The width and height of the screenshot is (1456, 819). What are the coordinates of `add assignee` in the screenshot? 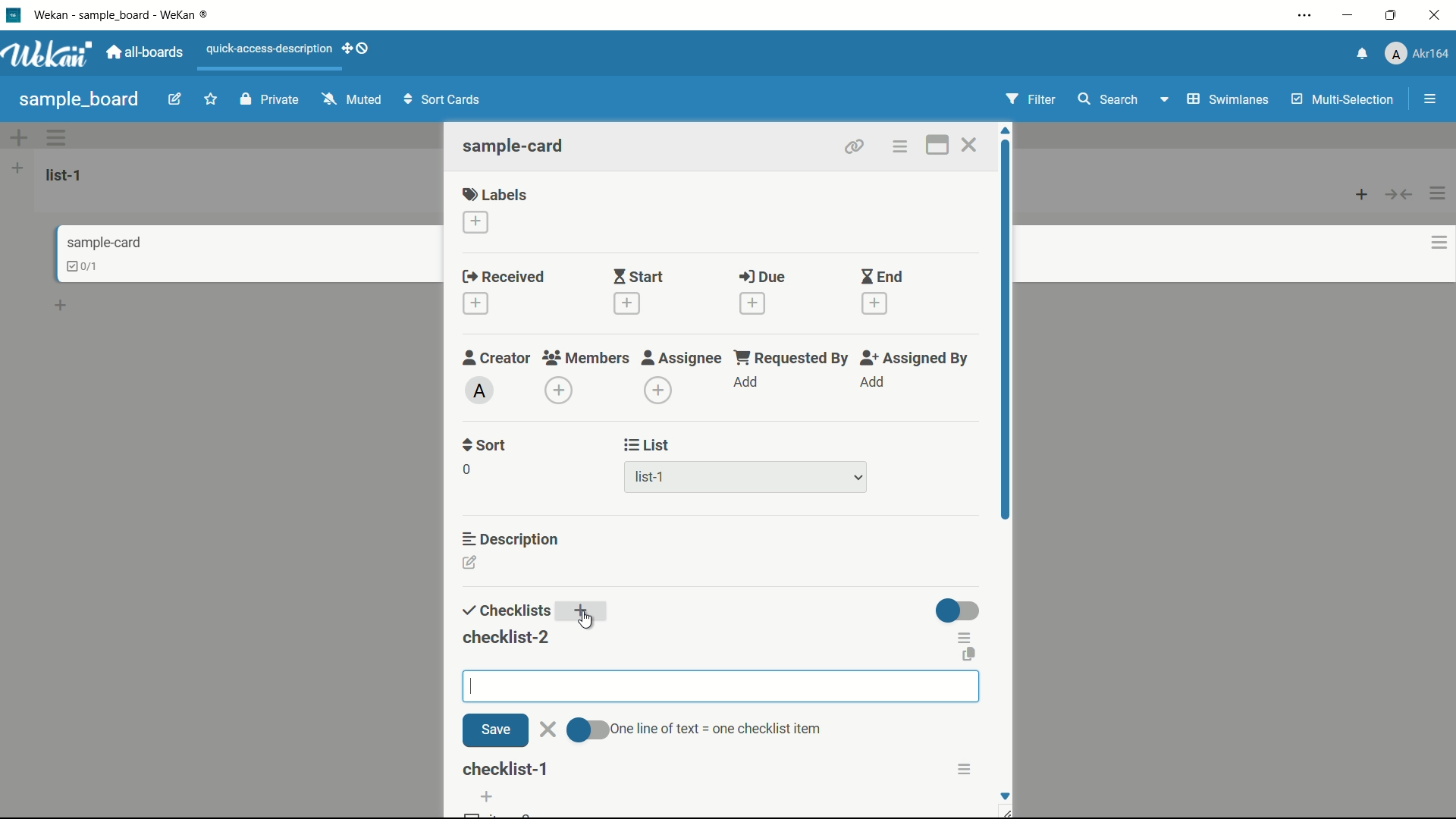 It's located at (659, 391).